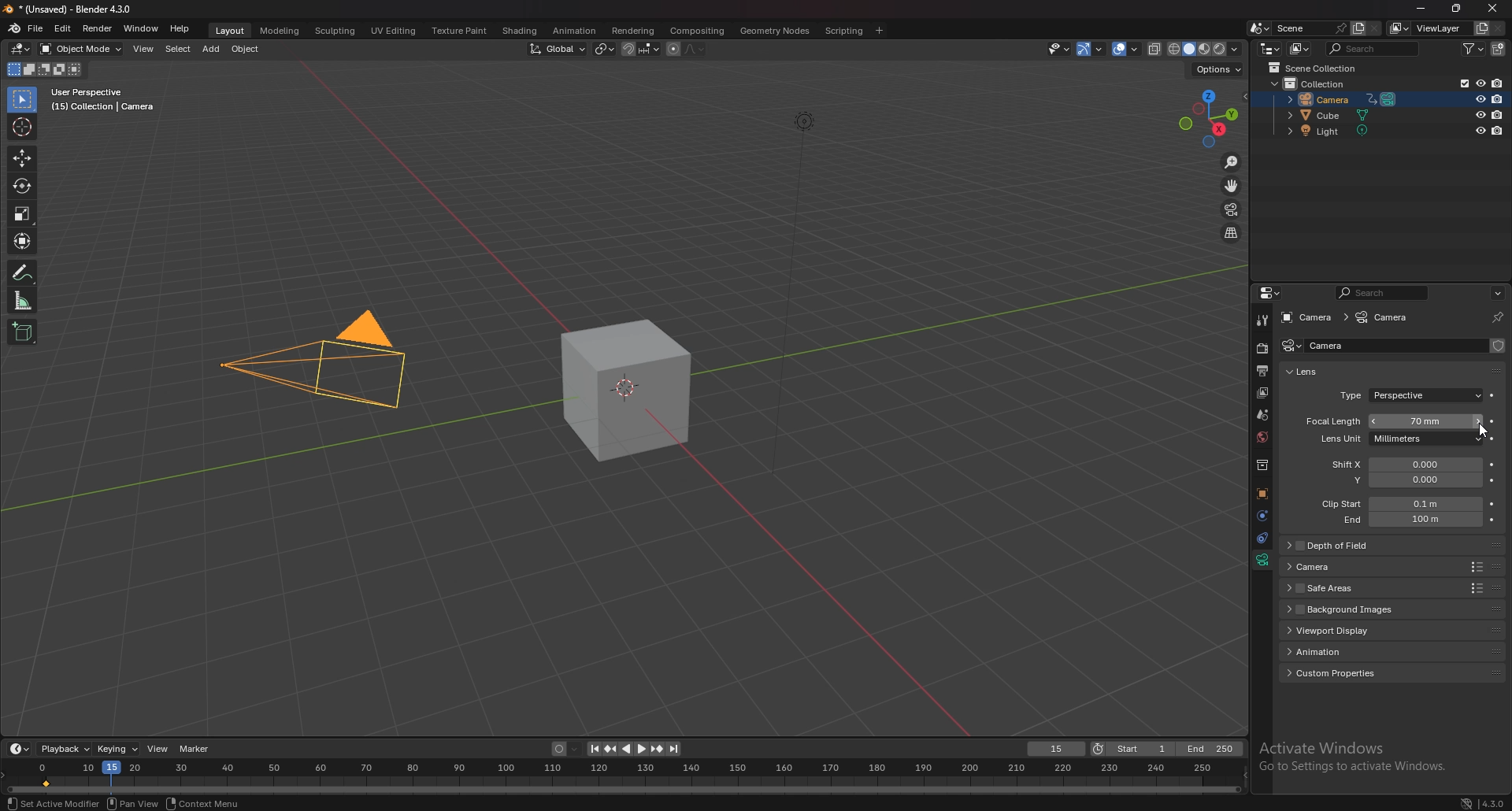  I want to click on collection, so click(1315, 83).